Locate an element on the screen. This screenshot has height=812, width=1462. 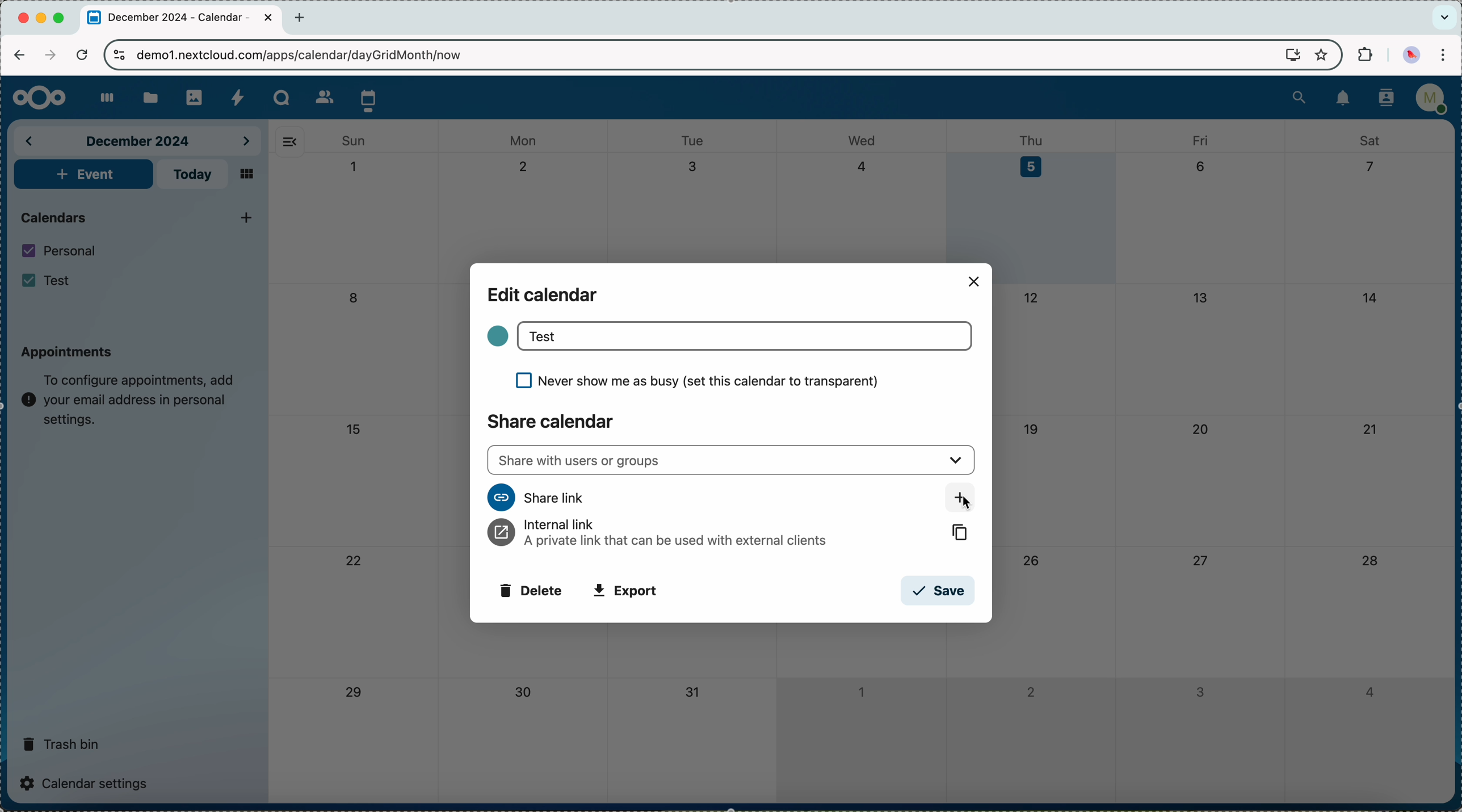
note is located at coordinates (129, 396).